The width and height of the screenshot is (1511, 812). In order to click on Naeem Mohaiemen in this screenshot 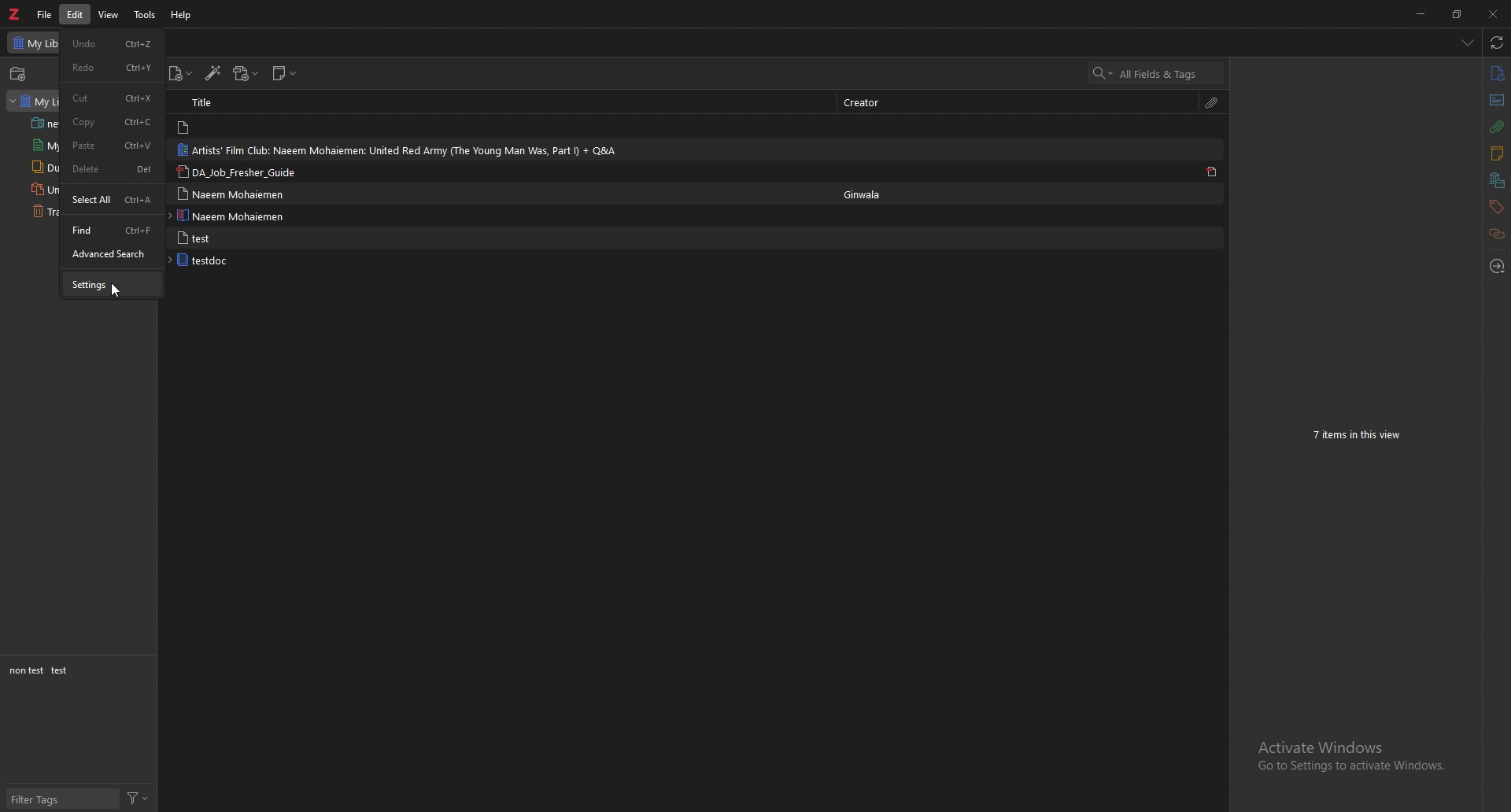, I will do `click(240, 193)`.